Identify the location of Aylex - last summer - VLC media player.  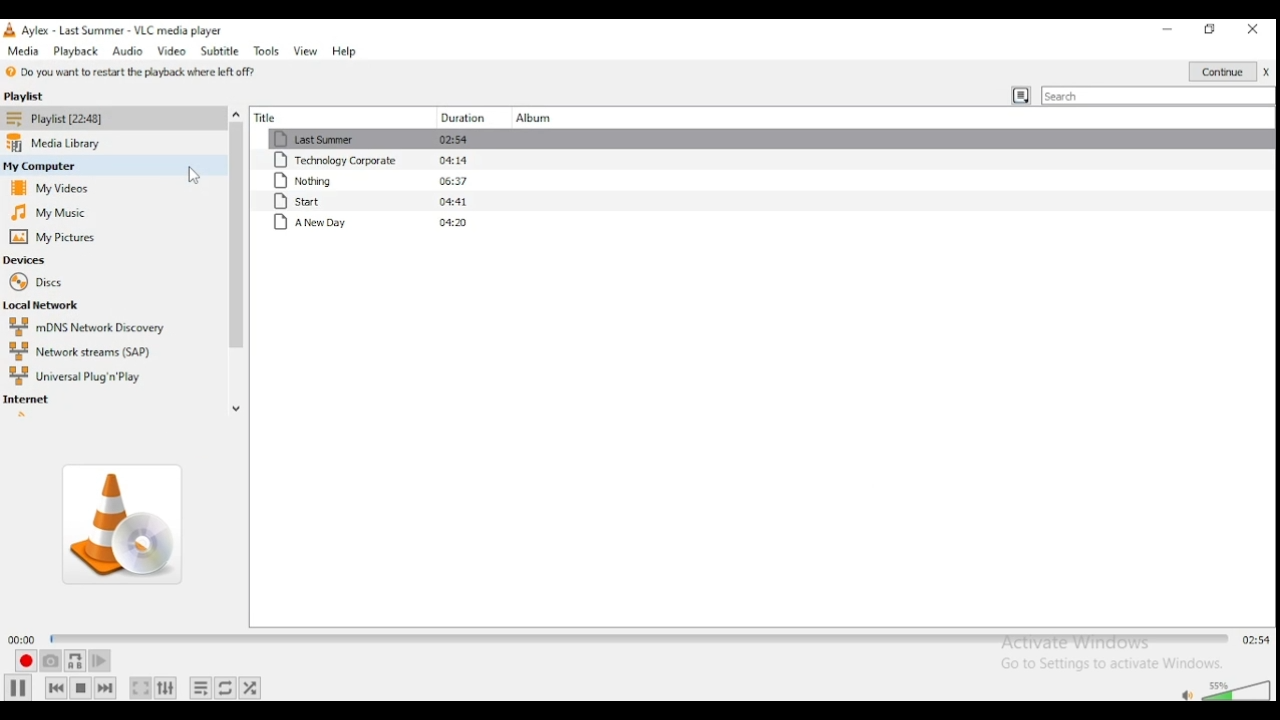
(127, 29).